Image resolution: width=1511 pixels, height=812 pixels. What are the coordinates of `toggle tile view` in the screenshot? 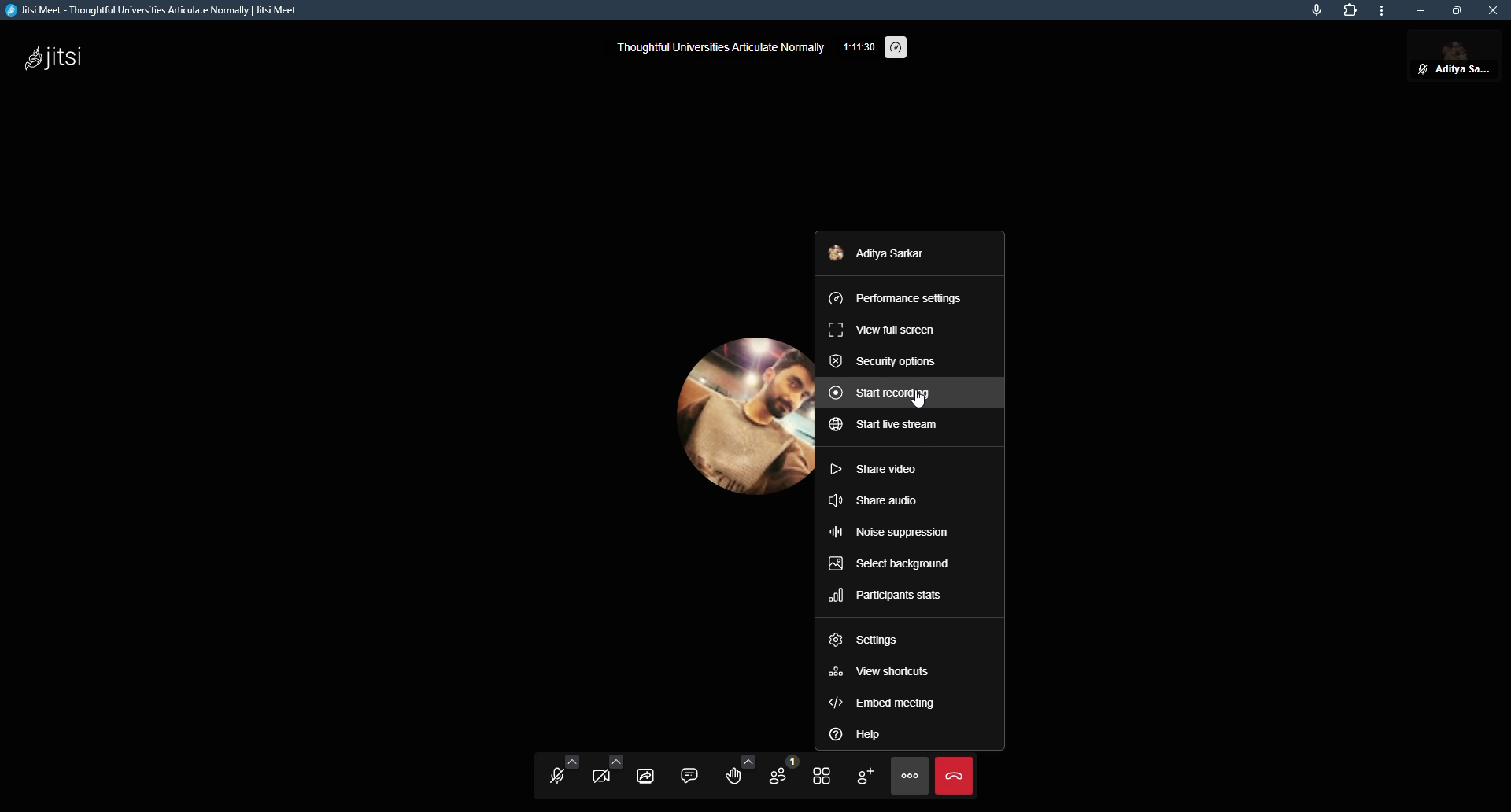 It's located at (822, 777).